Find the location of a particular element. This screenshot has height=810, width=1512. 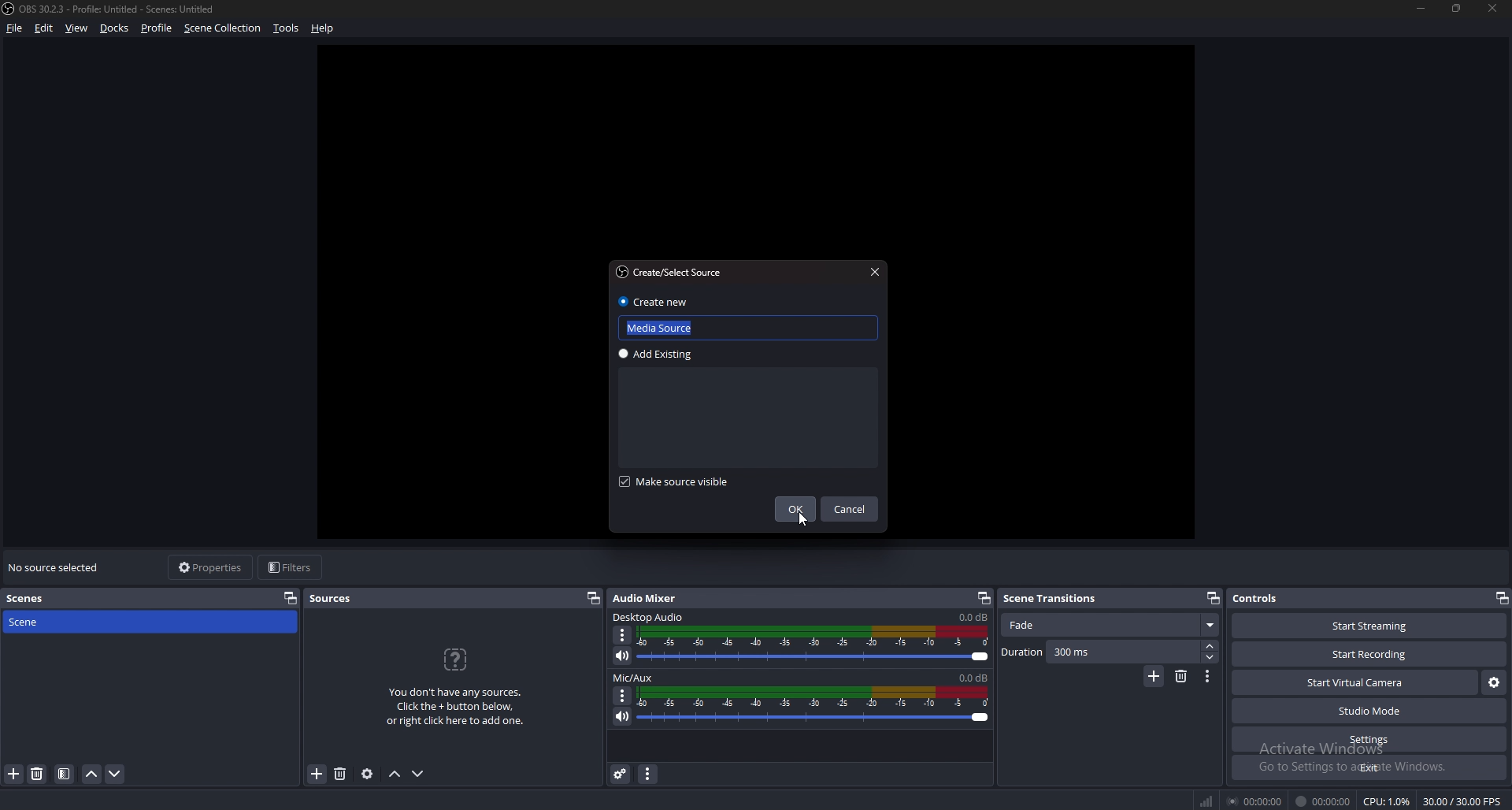

cursor is located at coordinates (799, 521).